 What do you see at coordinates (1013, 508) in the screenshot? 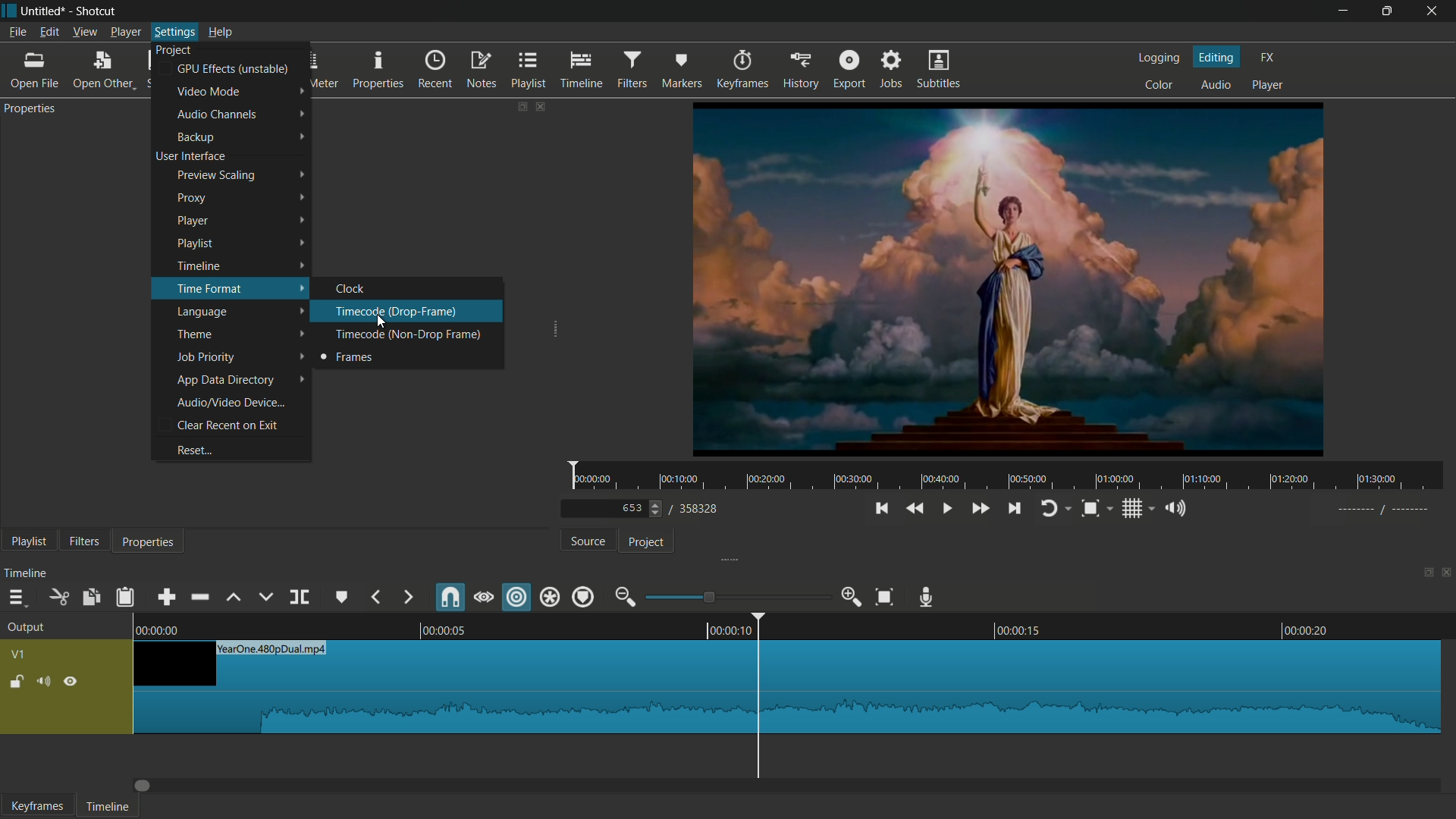
I see `skip to the next point` at bounding box center [1013, 508].